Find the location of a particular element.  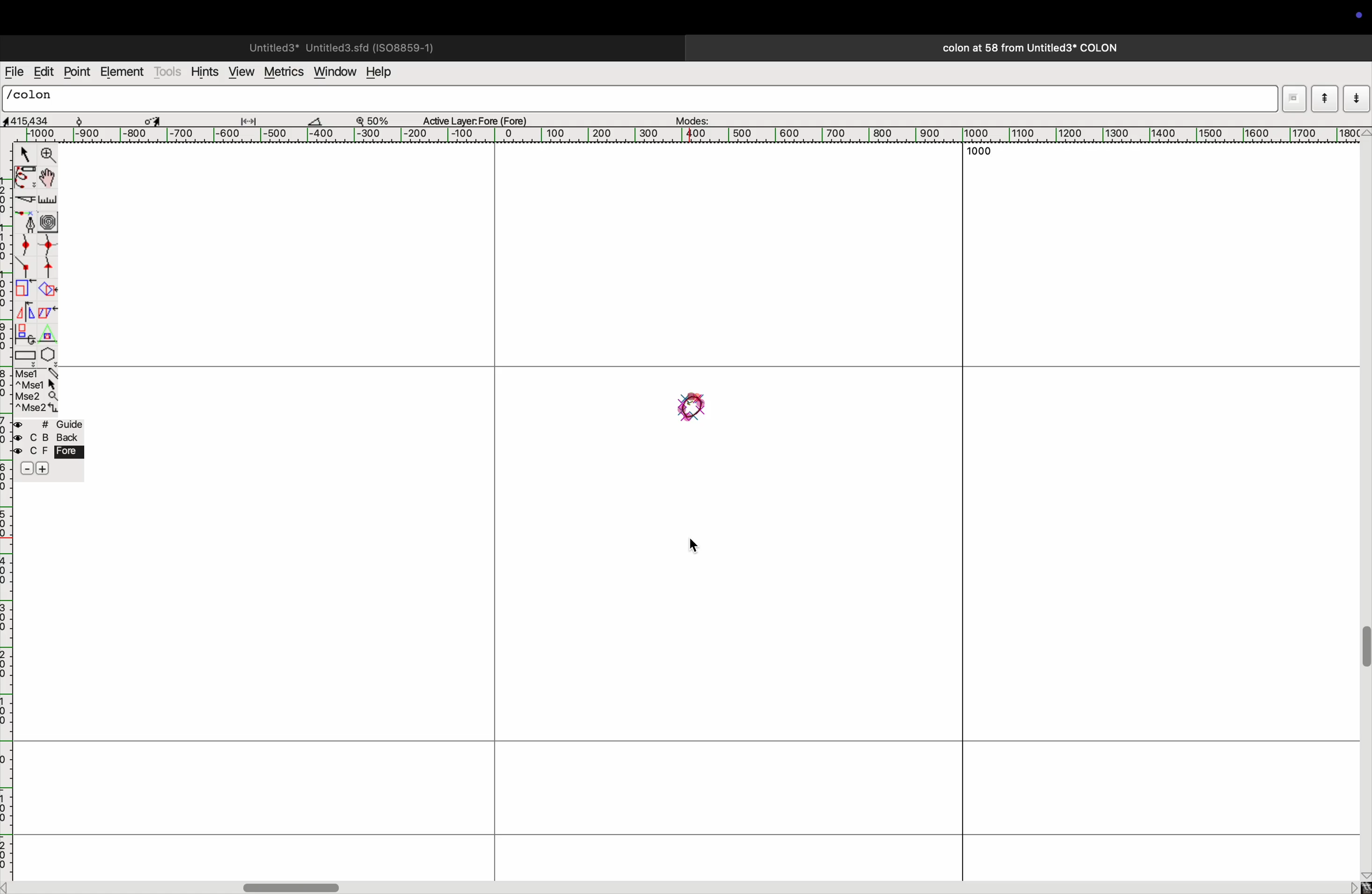

cut is located at coordinates (322, 121).